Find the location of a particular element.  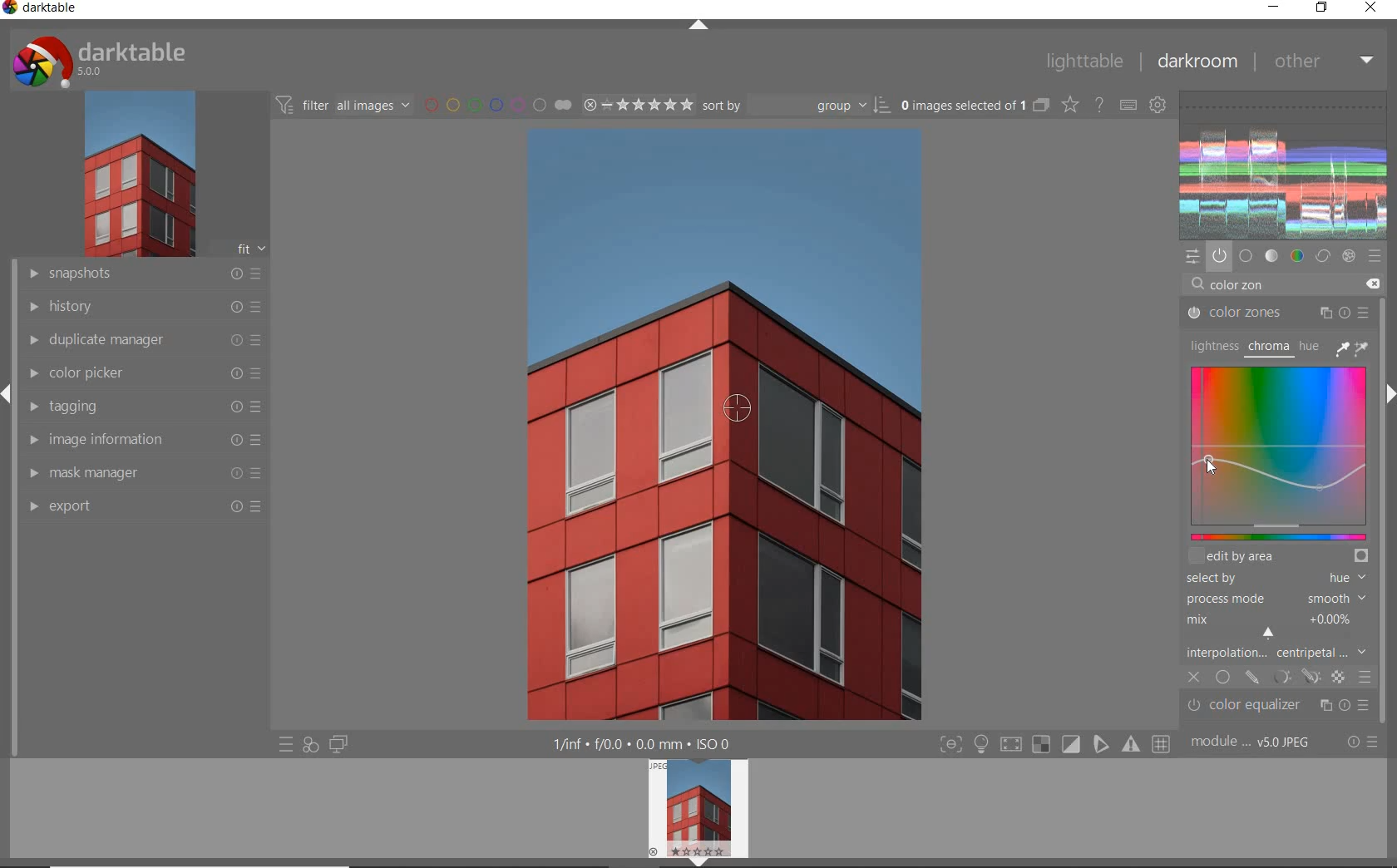

correct is located at coordinates (1323, 257).